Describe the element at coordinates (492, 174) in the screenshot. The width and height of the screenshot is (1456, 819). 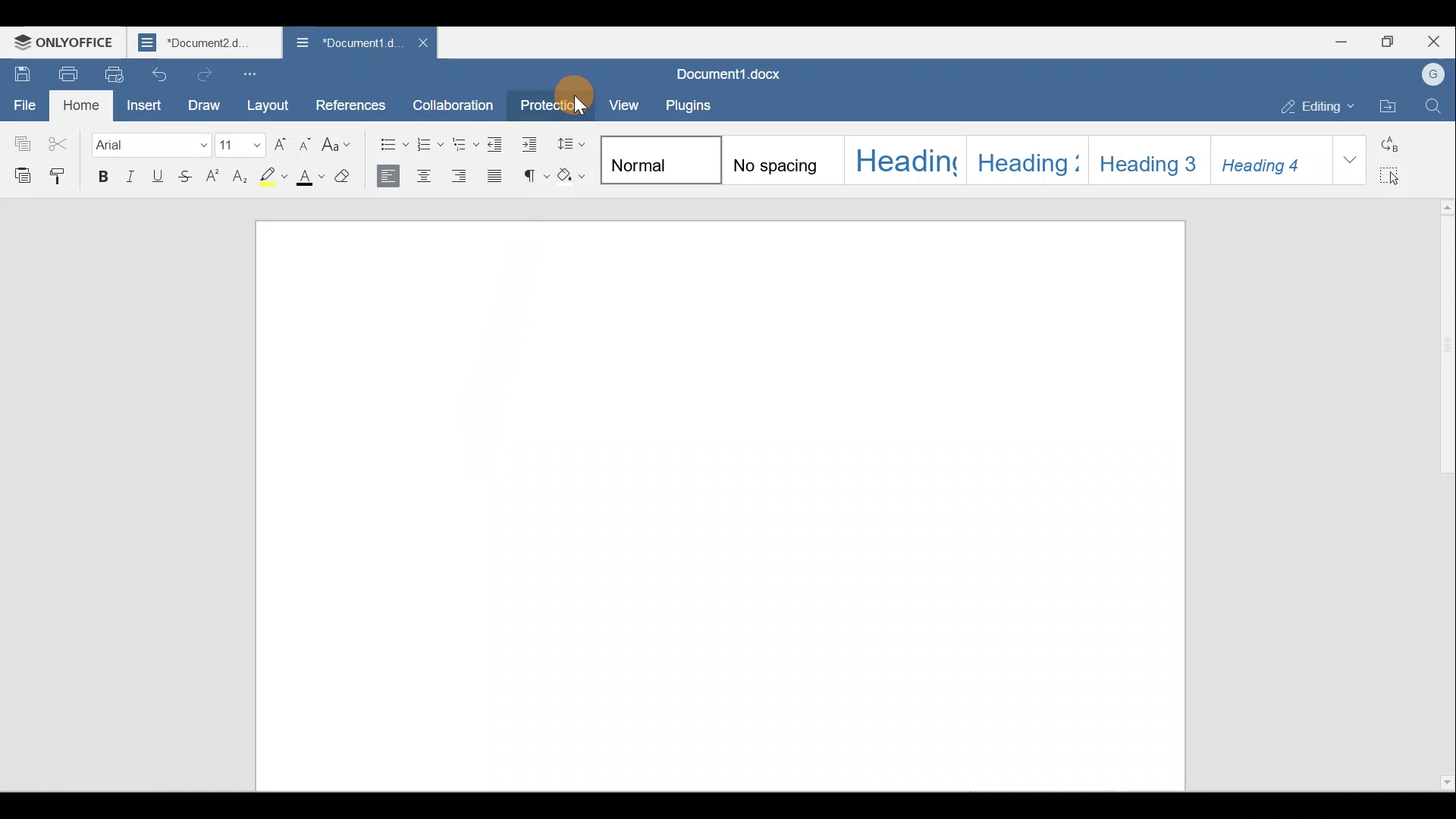
I see `Justified` at that location.